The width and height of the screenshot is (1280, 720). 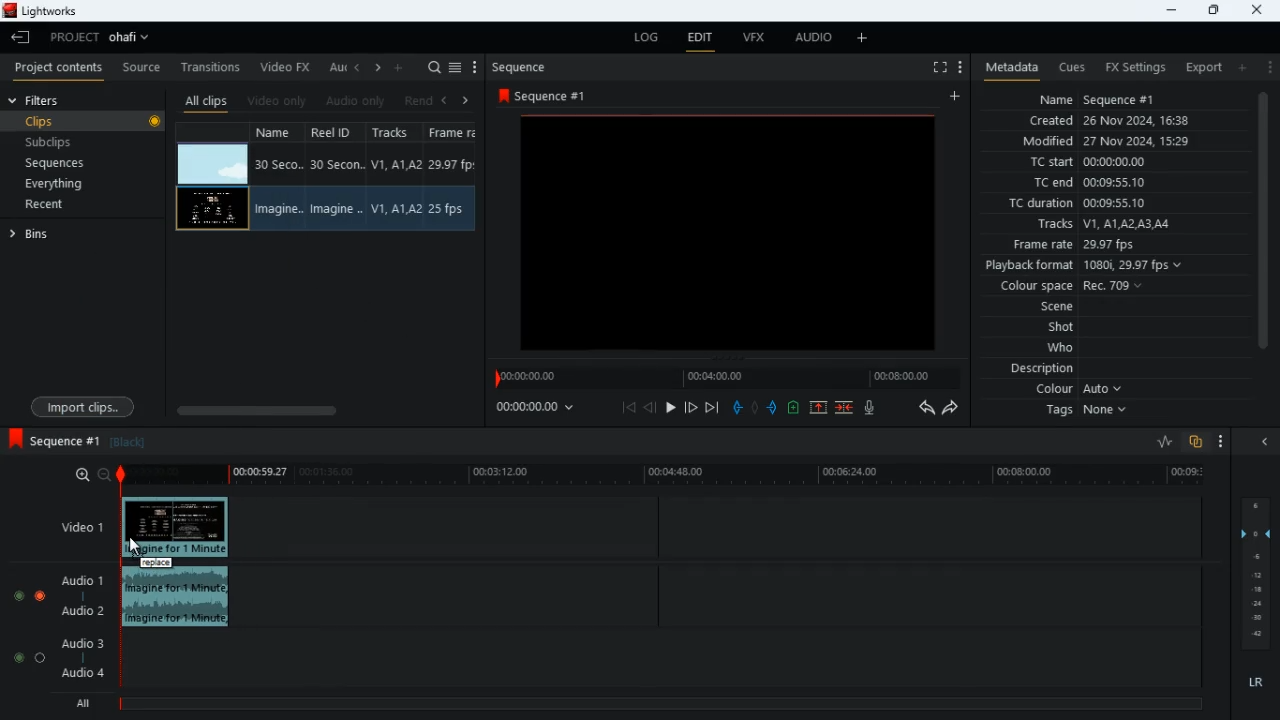 What do you see at coordinates (670, 409) in the screenshot?
I see `play` at bounding box center [670, 409].